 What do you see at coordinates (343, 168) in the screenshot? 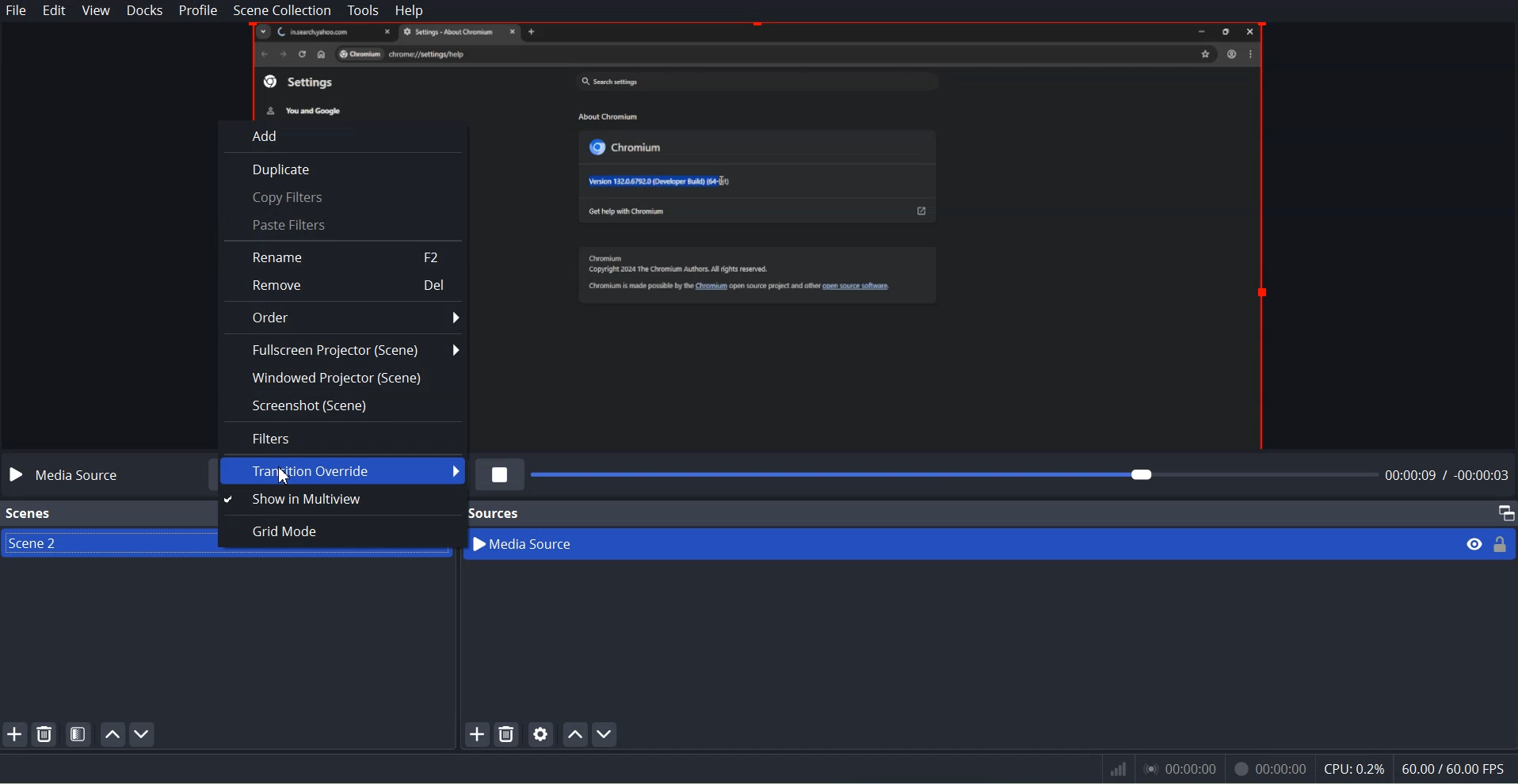
I see `Duplicates` at bounding box center [343, 168].